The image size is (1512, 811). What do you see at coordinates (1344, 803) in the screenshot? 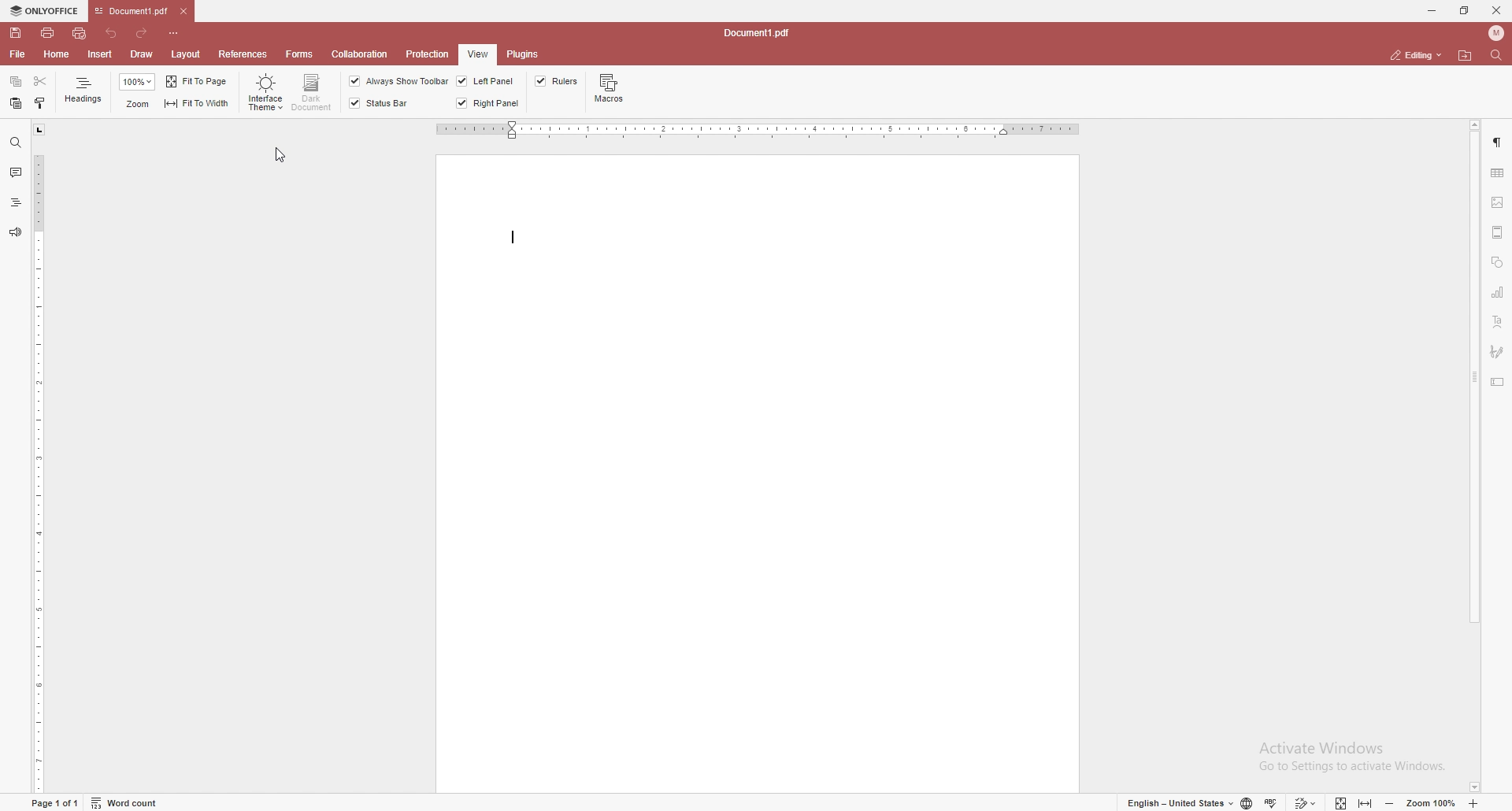
I see `fit to screen` at bounding box center [1344, 803].